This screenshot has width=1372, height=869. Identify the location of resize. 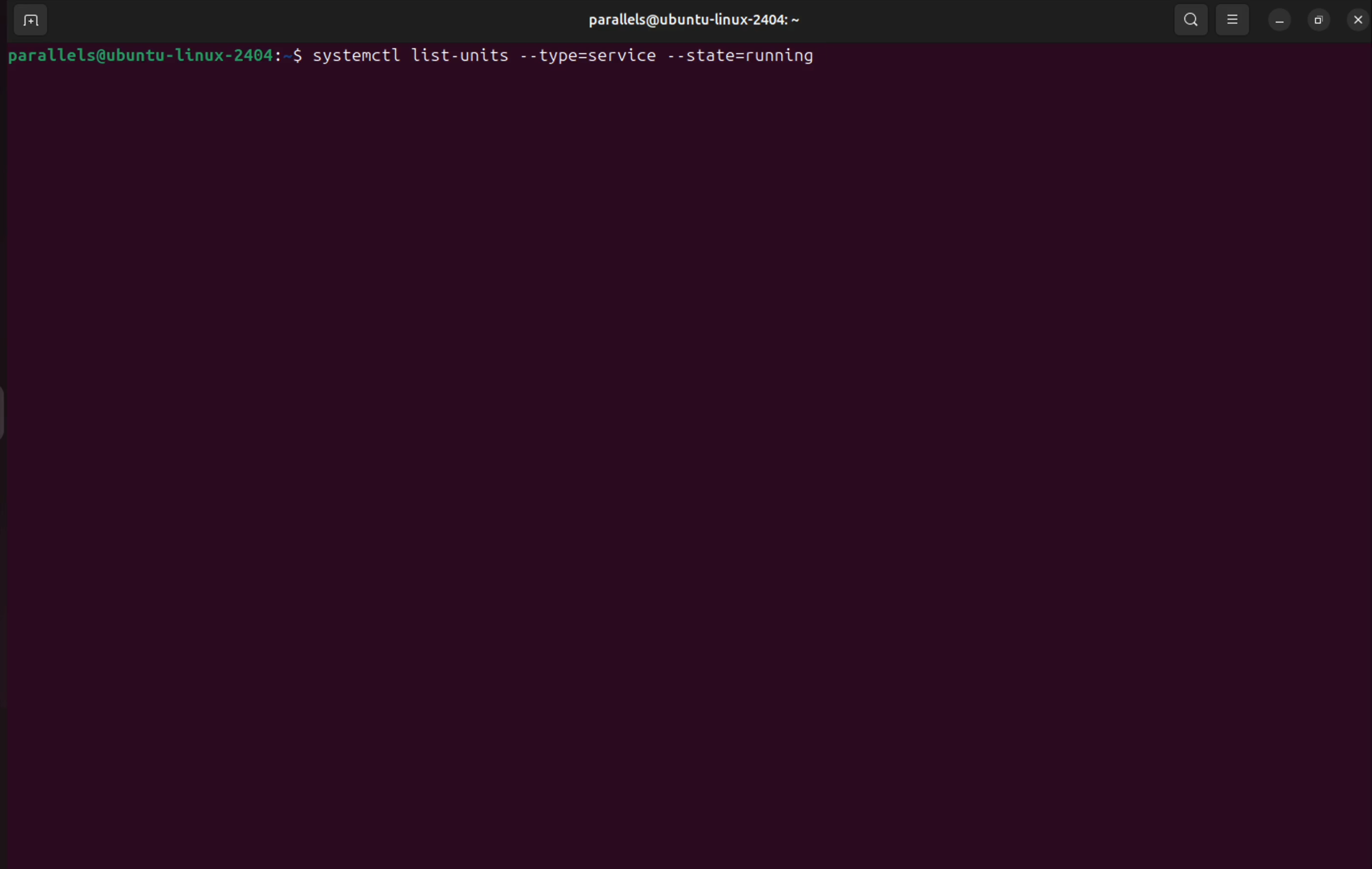
(1317, 19).